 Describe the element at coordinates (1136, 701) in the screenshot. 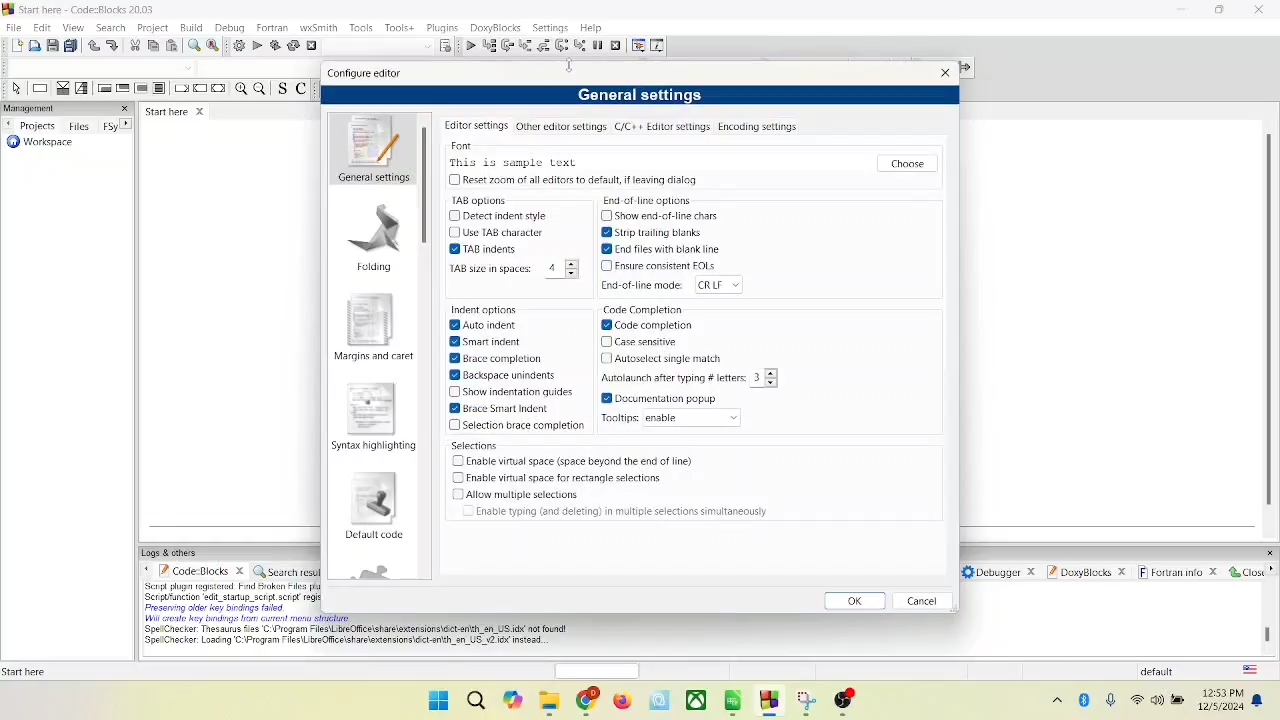

I see `wifi` at that location.